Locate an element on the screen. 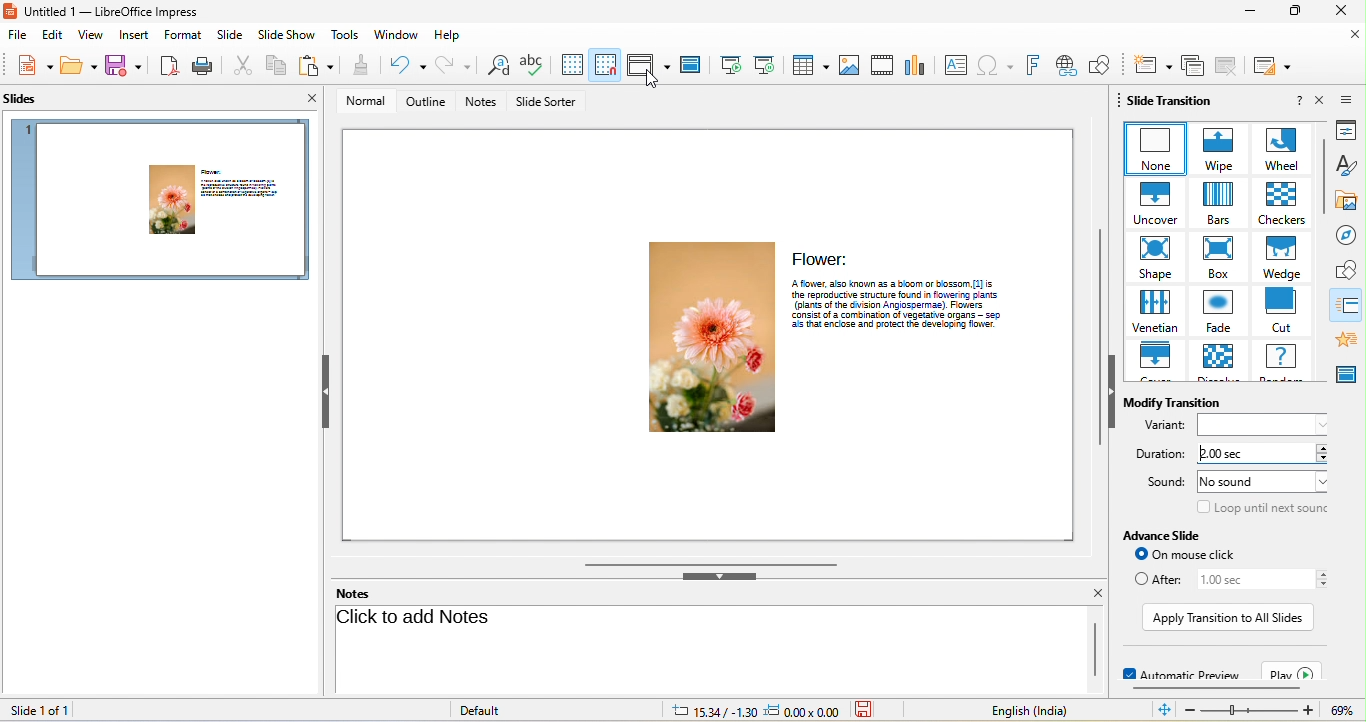 This screenshot has width=1366, height=722. font work text is located at coordinates (1034, 64).